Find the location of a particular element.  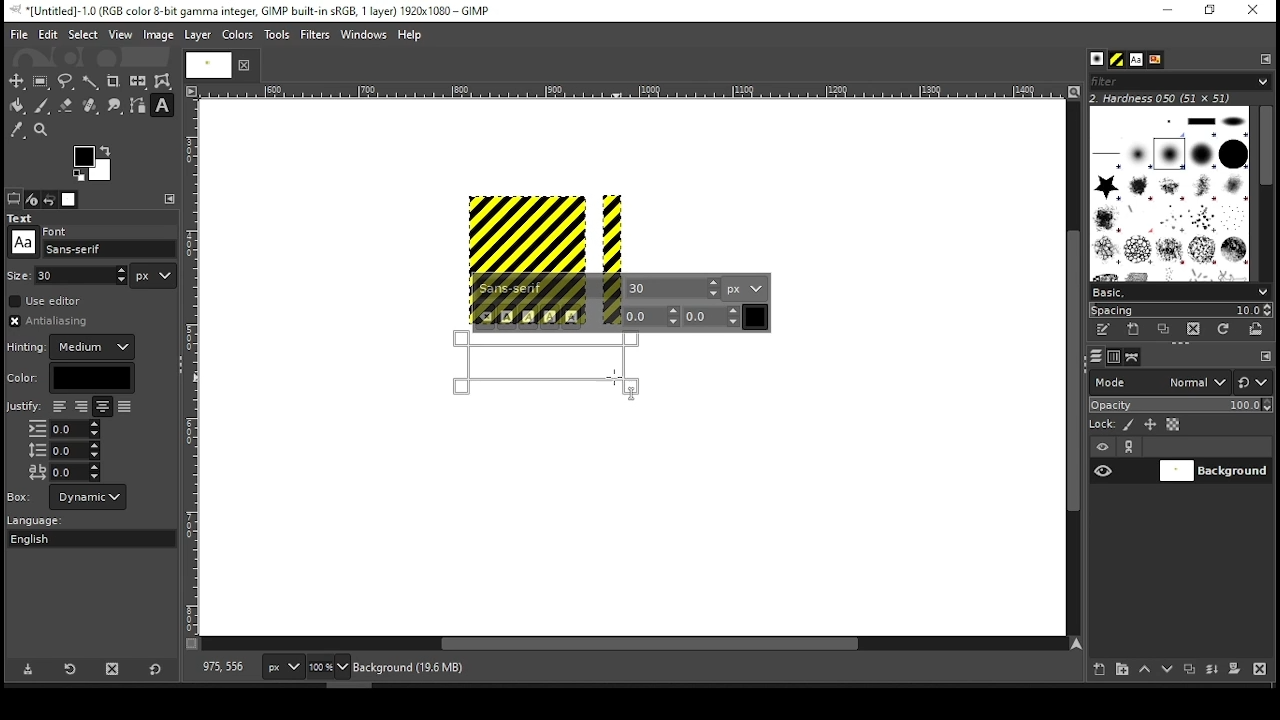

use editor is located at coordinates (47, 301).